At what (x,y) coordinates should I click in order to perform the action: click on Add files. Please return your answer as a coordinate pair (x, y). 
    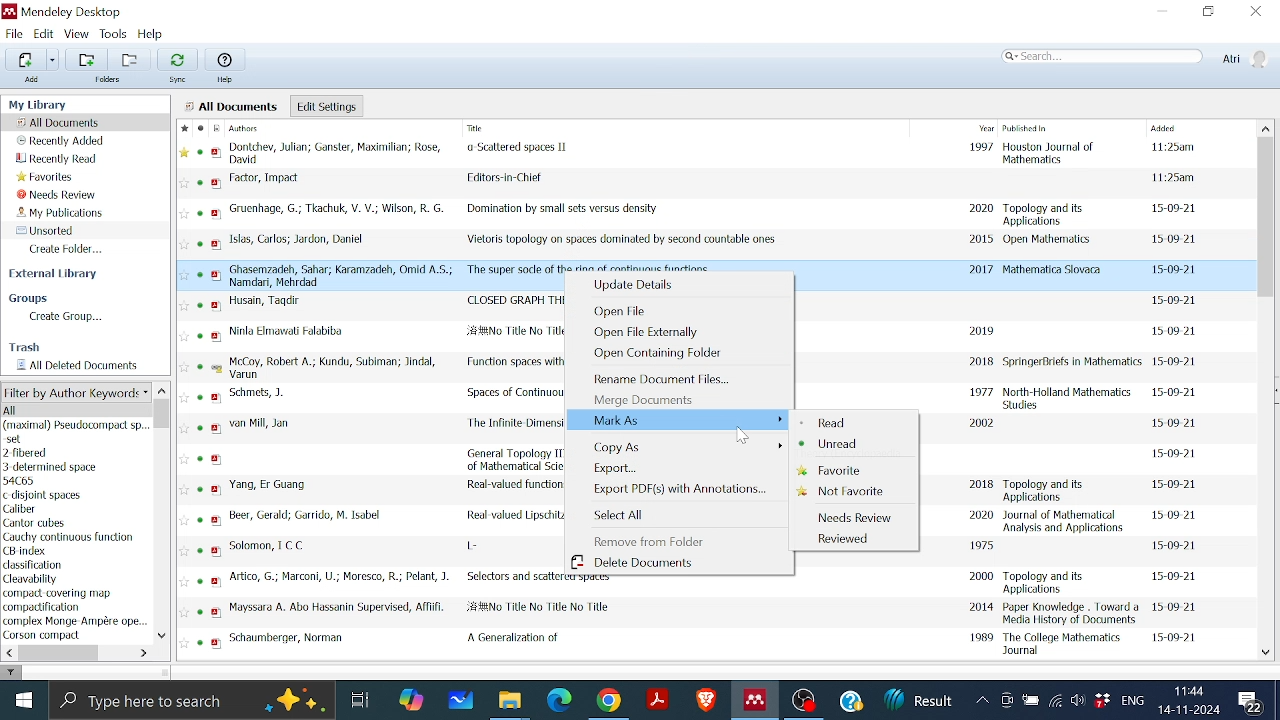
    Looking at the image, I should click on (26, 59).